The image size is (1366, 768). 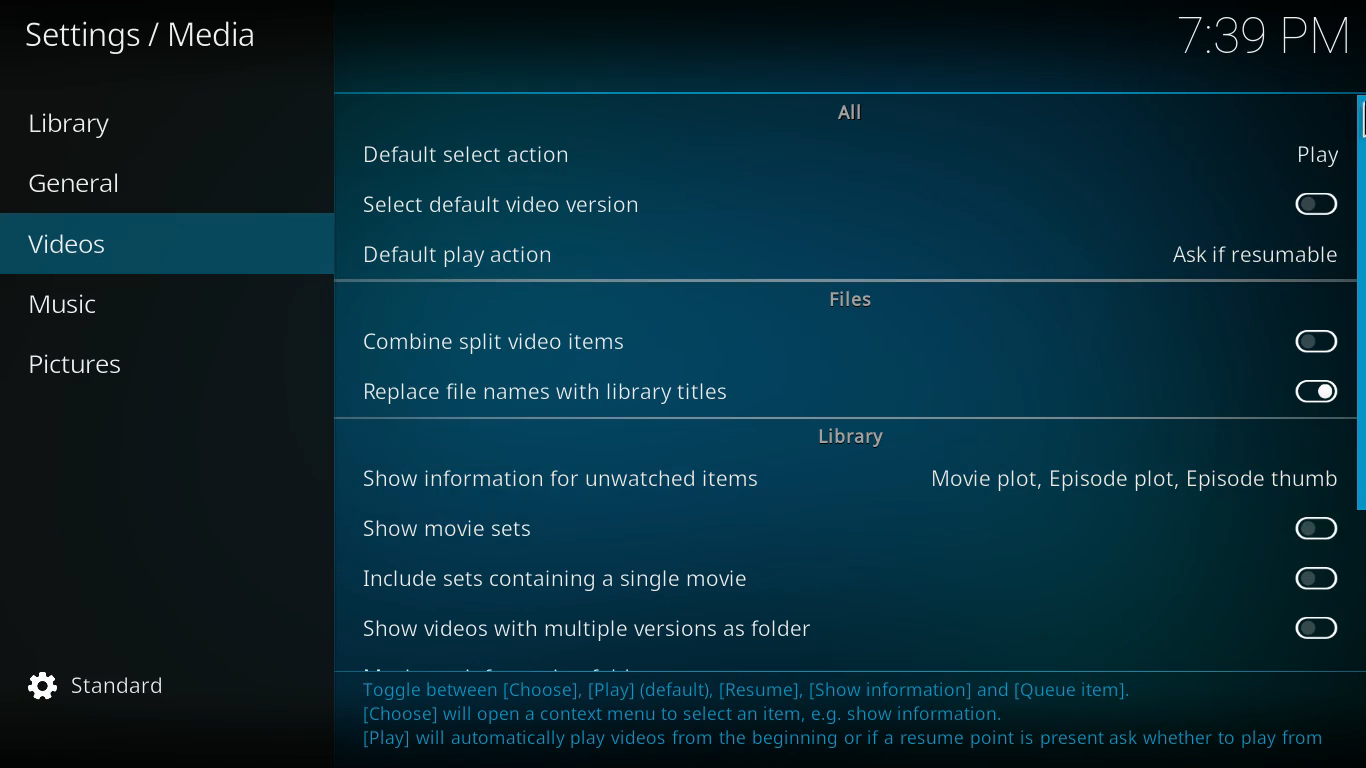 What do you see at coordinates (863, 114) in the screenshot?
I see `all` at bounding box center [863, 114].